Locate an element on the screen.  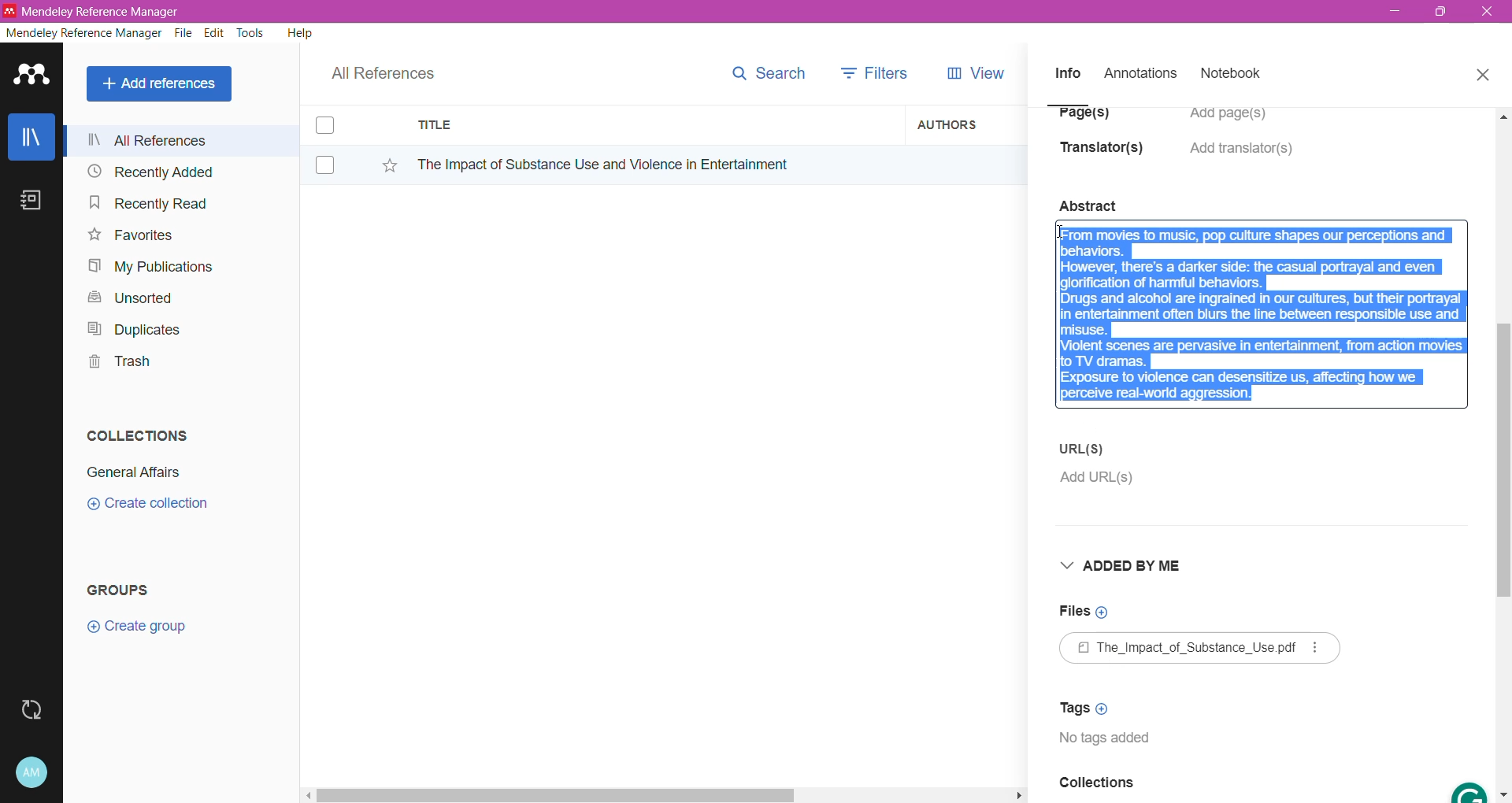
Info is located at coordinates (1067, 72).